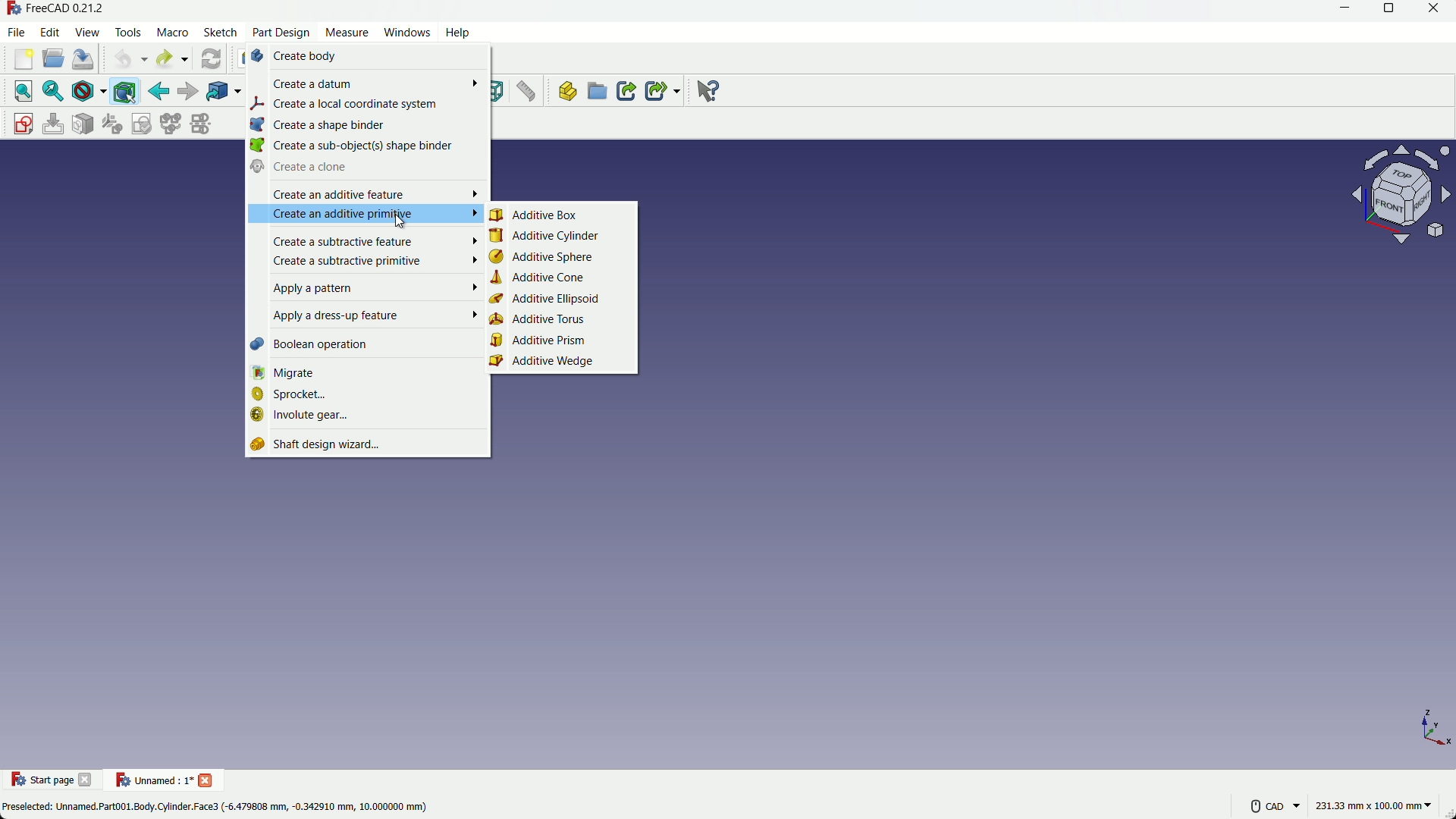 This screenshot has height=819, width=1456. What do you see at coordinates (211, 59) in the screenshot?
I see `refresh` at bounding box center [211, 59].